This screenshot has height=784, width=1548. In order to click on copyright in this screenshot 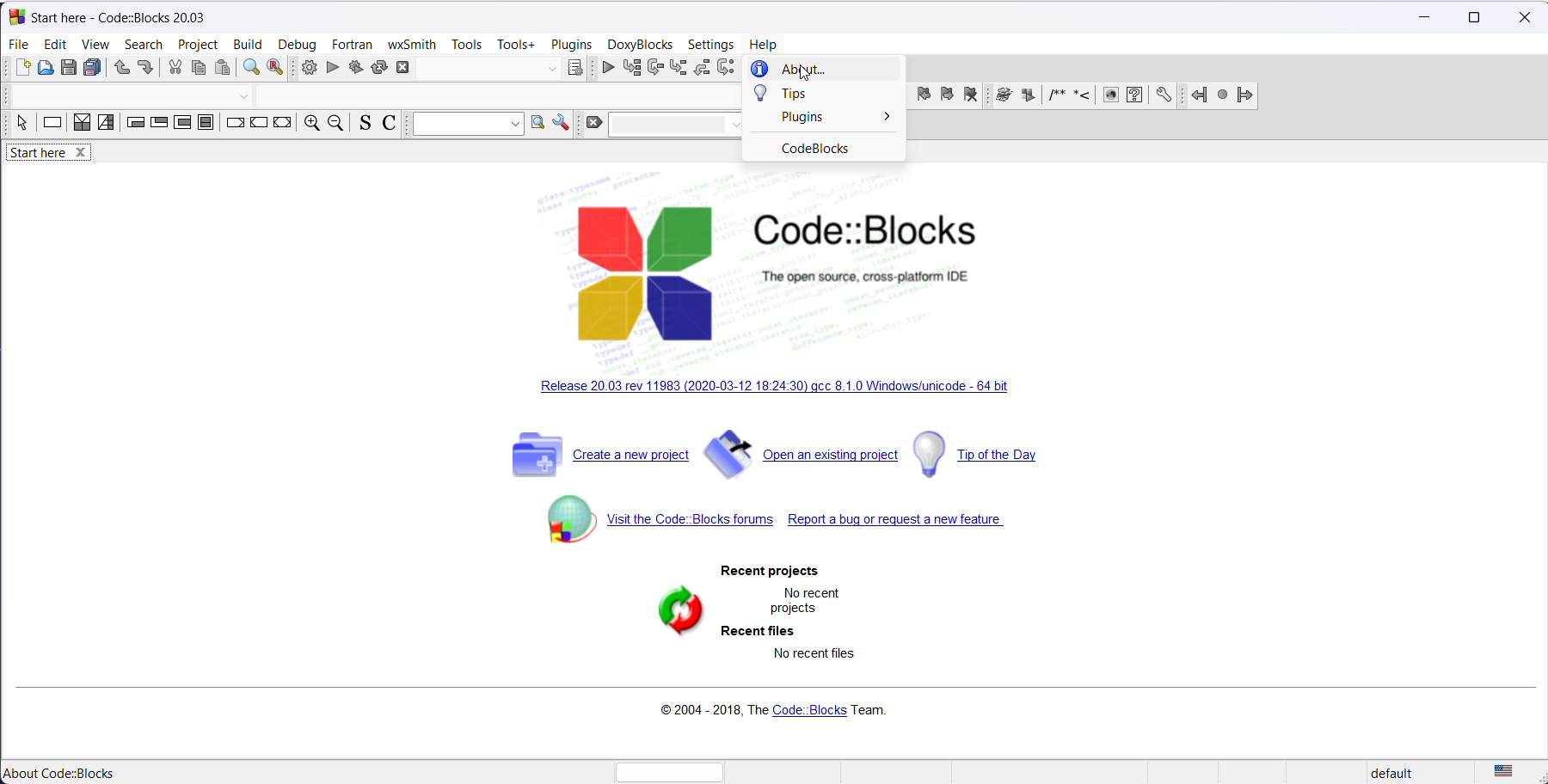, I will do `click(779, 708)`.